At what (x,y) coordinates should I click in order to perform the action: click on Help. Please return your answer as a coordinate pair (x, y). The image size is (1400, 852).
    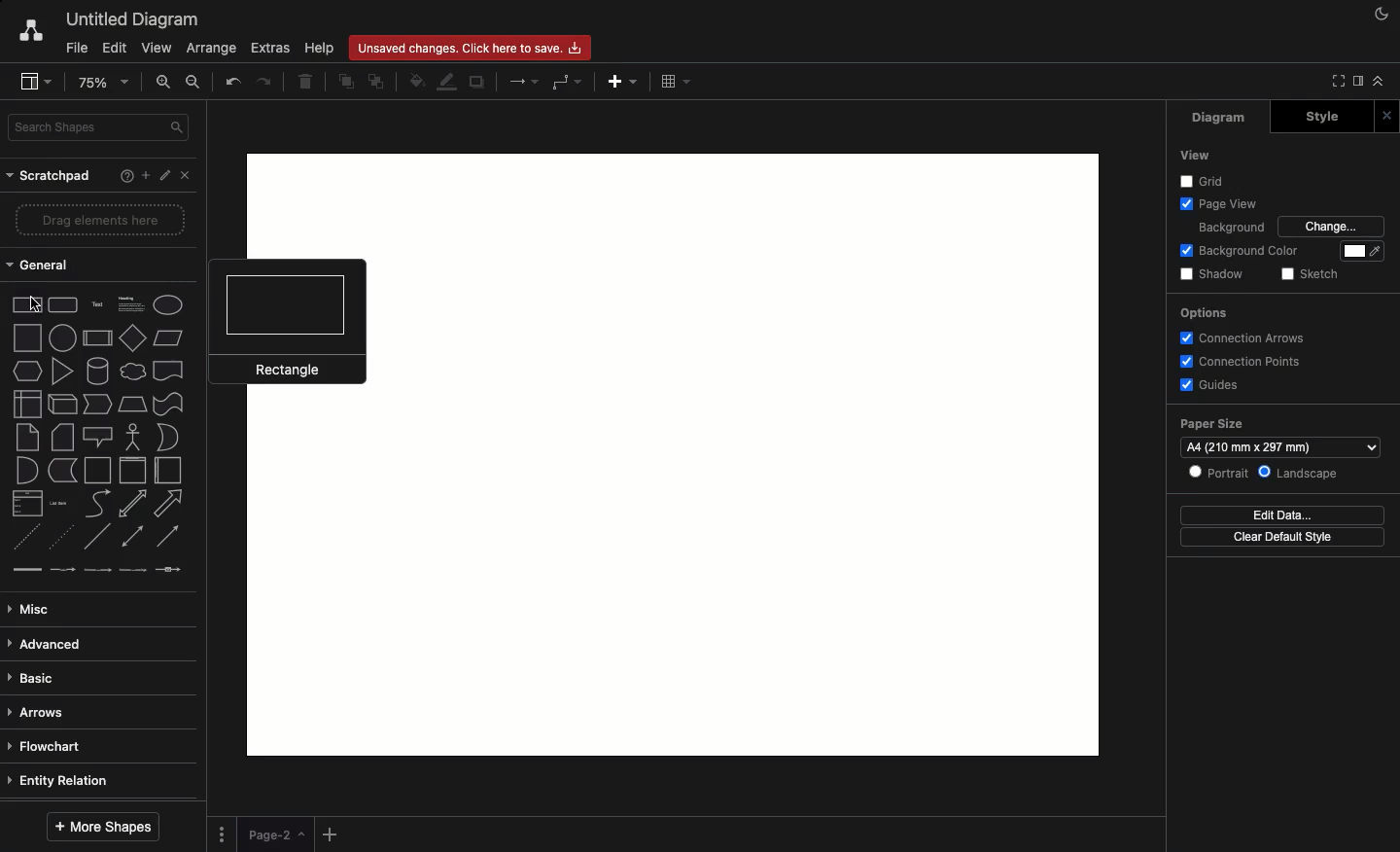
    Looking at the image, I should click on (322, 49).